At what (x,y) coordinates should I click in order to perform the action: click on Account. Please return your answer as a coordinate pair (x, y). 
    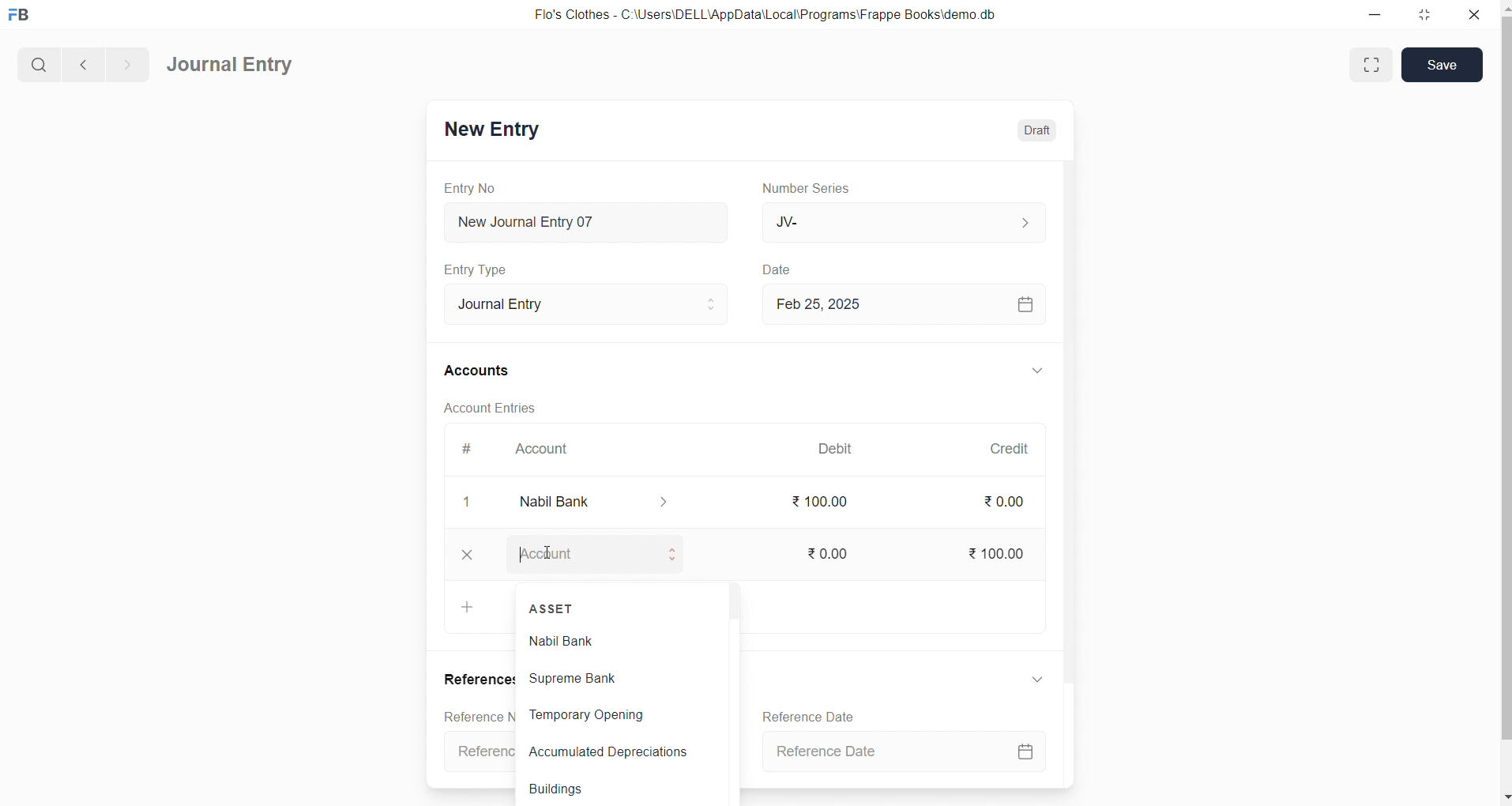
    Looking at the image, I should click on (615, 502).